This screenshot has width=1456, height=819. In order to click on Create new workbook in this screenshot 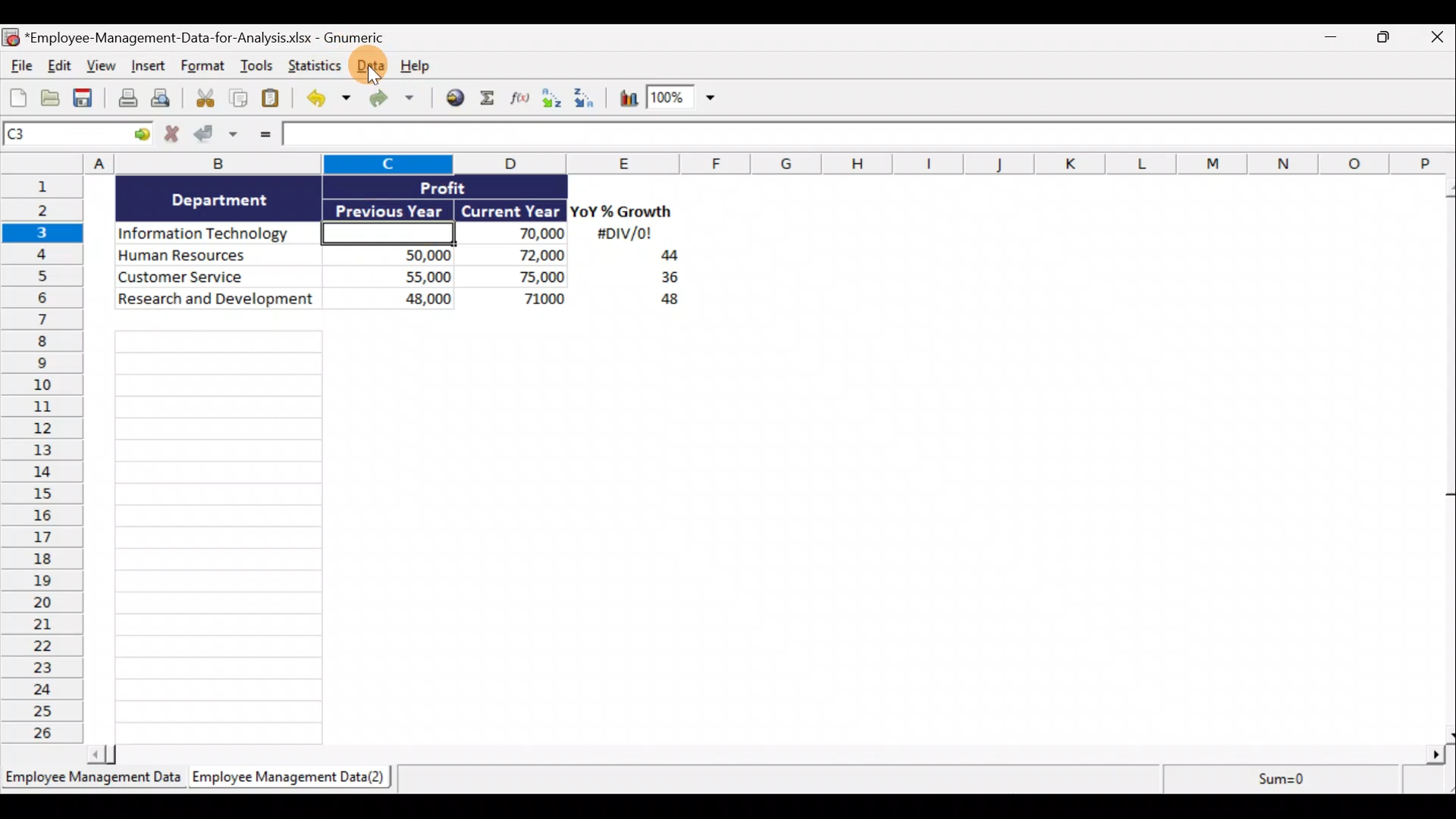, I will do `click(18, 97)`.